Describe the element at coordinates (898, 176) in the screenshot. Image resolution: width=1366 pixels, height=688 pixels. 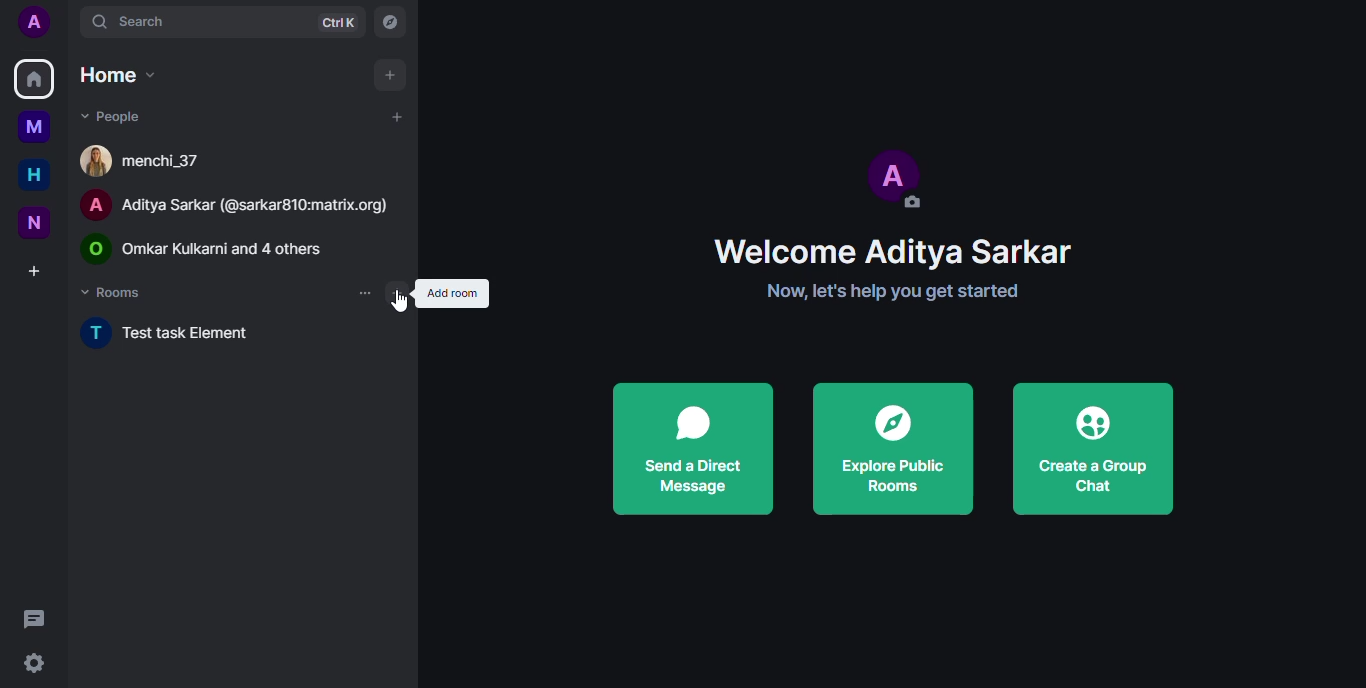
I see `profile` at that location.